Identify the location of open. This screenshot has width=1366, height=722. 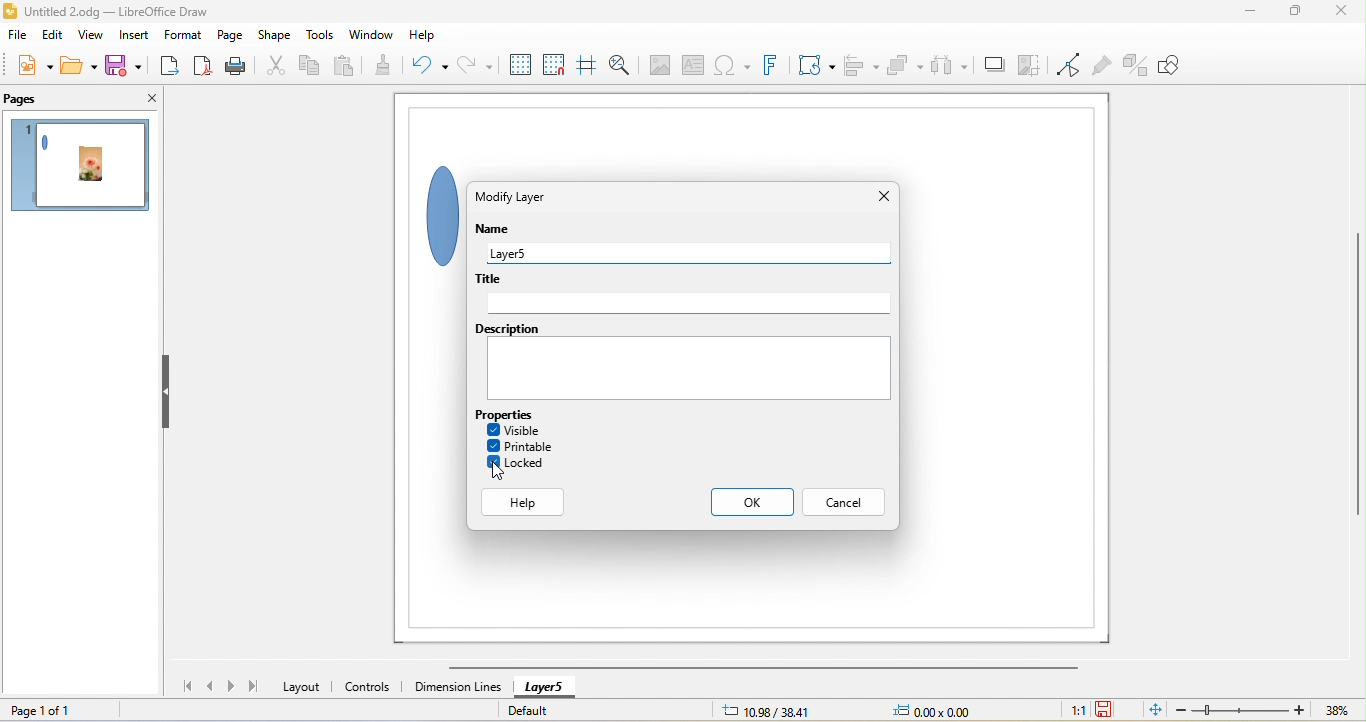
(76, 65).